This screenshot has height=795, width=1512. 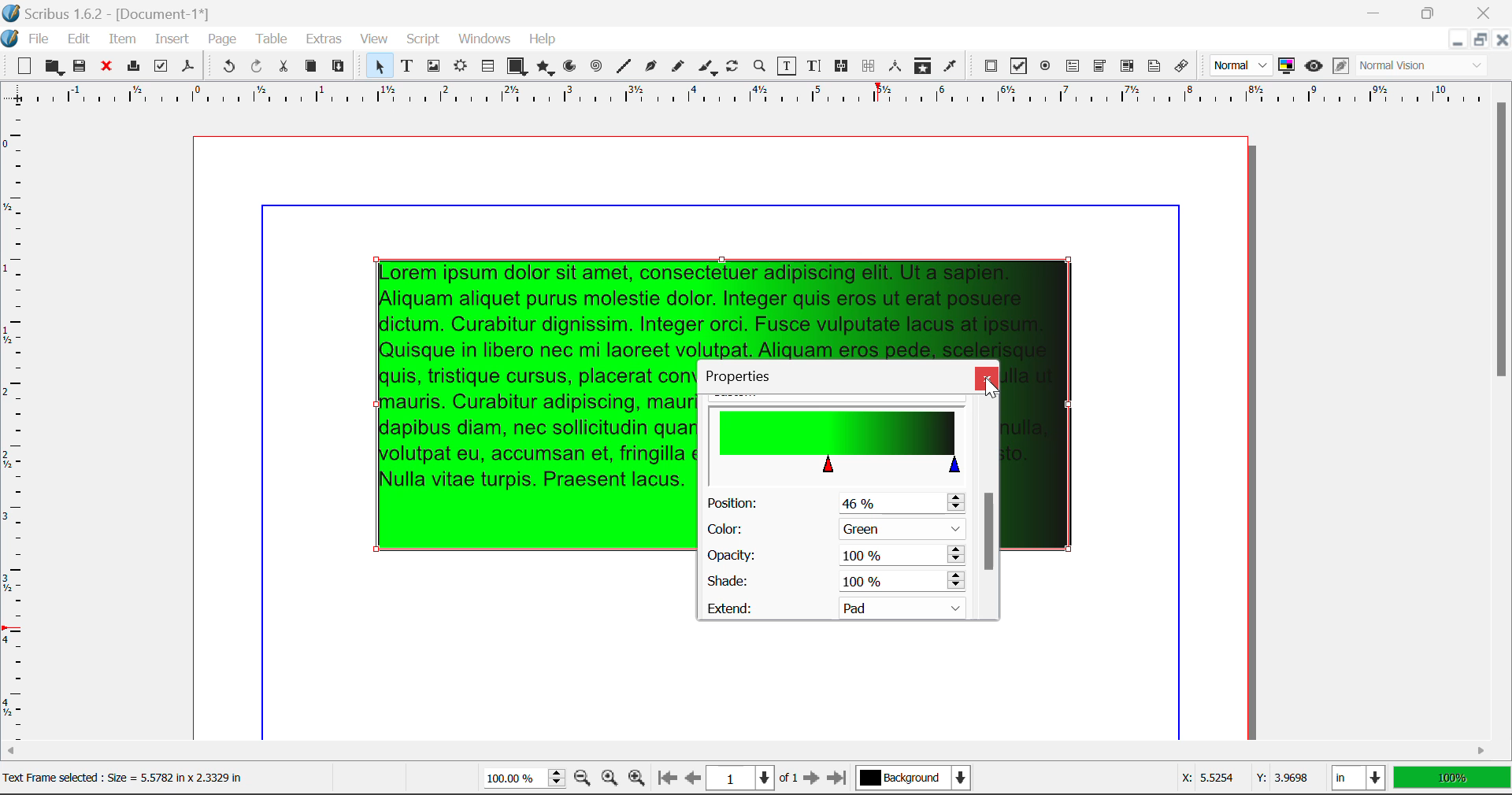 What do you see at coordinates (39, 41) in the screenshot?
I see `File` at bounding box center [39, 41].